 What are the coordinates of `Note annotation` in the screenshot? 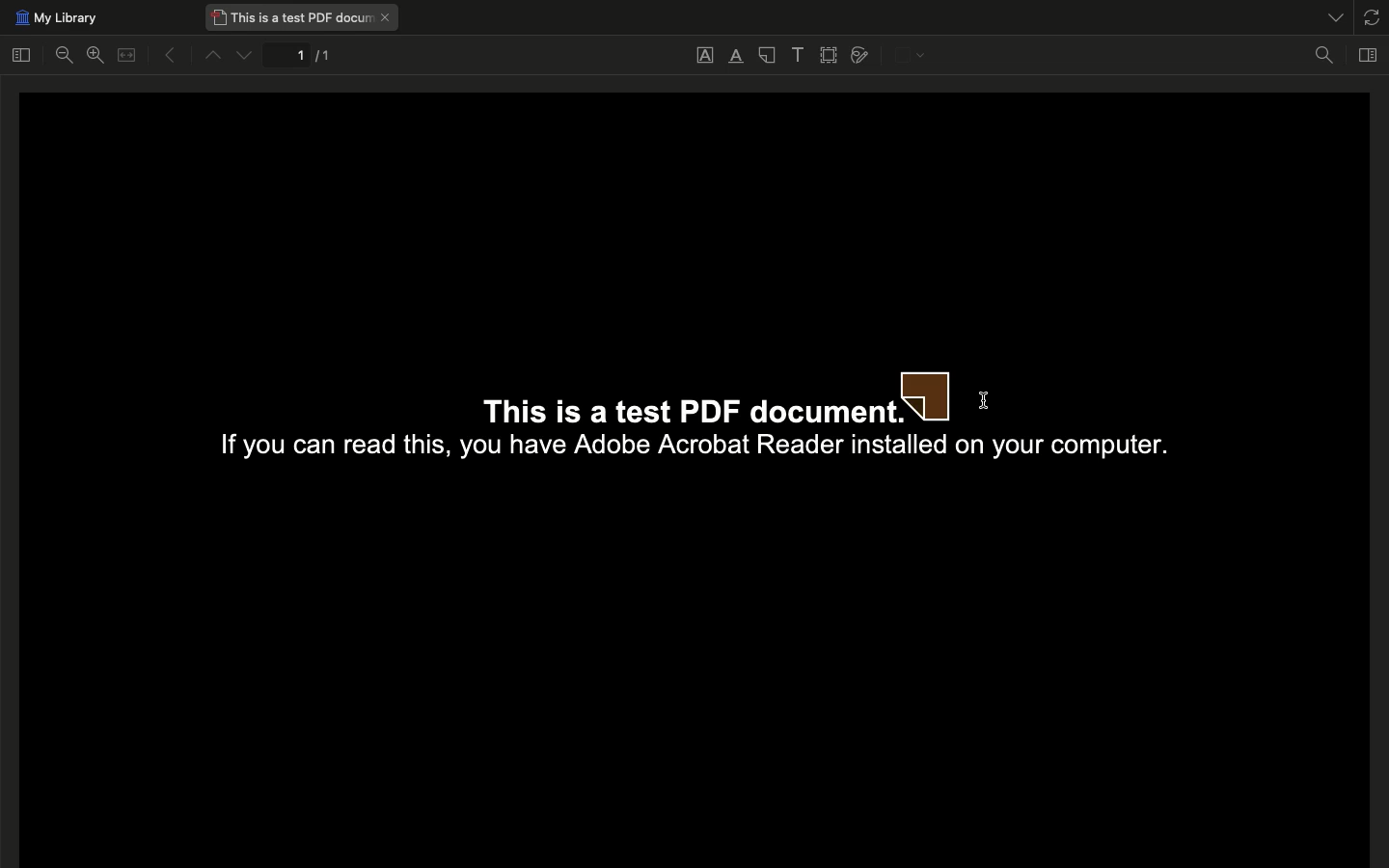 It's located at (927, 396).